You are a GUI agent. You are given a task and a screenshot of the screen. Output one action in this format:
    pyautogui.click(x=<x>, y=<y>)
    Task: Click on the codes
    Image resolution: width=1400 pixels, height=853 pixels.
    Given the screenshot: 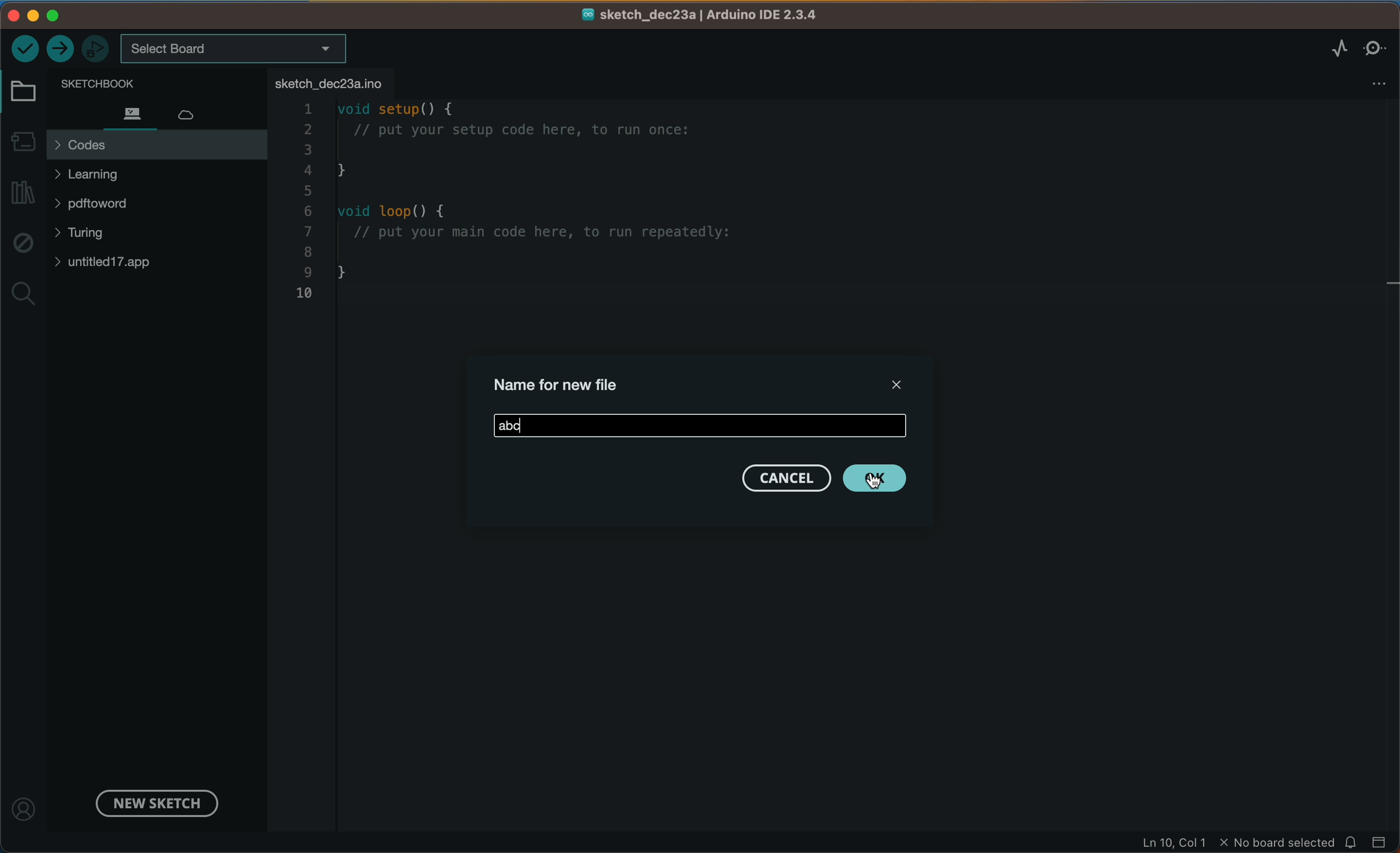 What is the action you would take?
    pyautogui.click(x=156, y=145)
    